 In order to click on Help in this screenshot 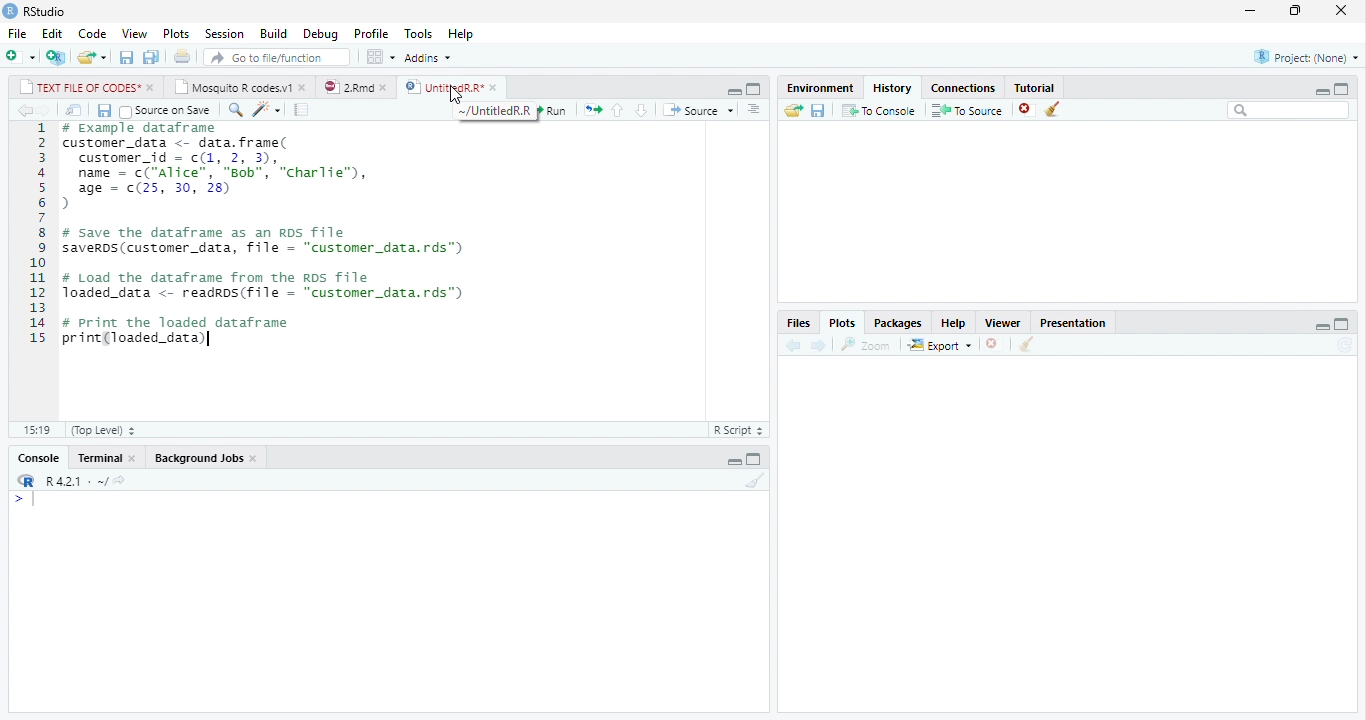, I will do `click(953, 324)`.